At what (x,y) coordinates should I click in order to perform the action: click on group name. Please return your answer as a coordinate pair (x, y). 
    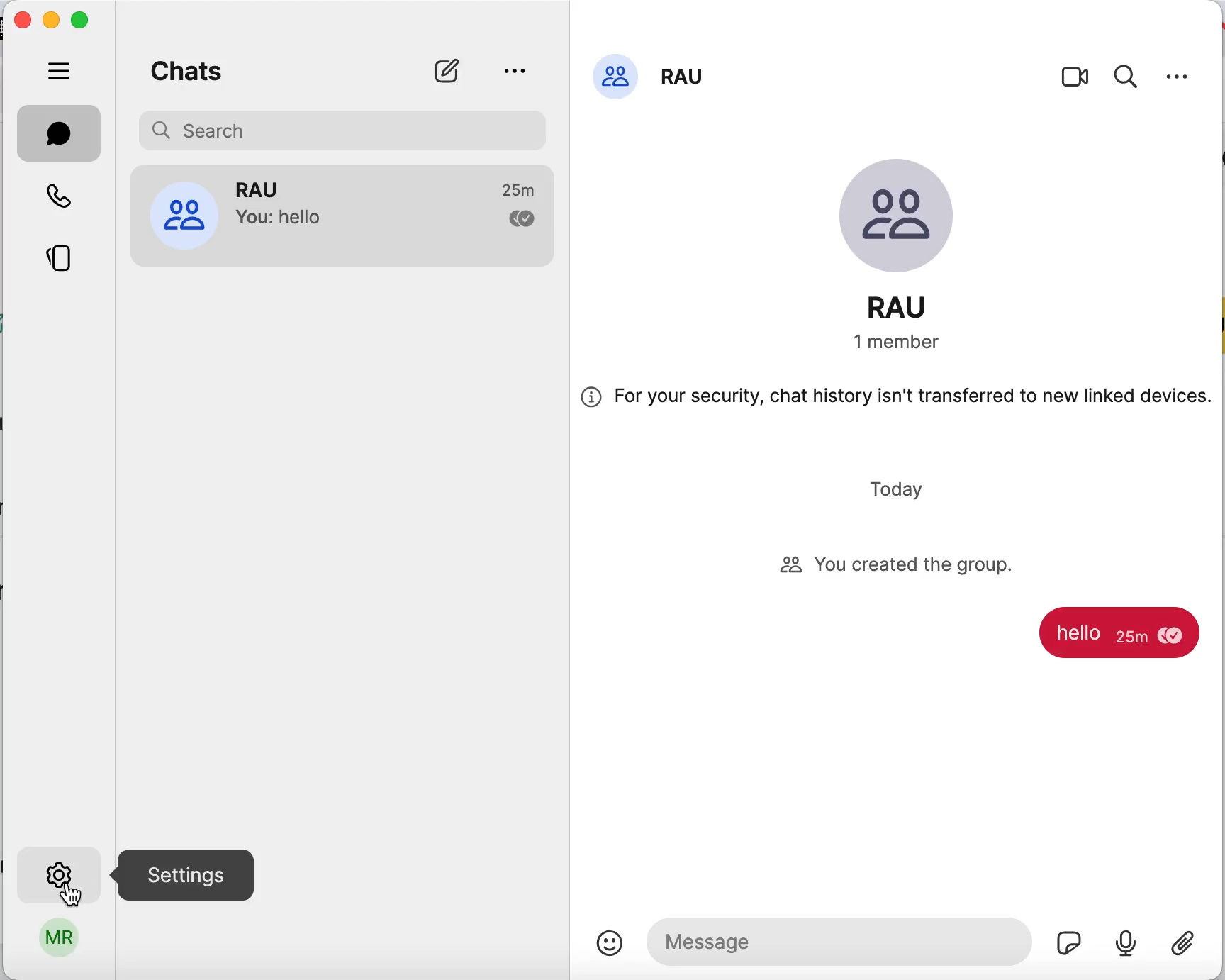
    Looking at the image, I should click on (673, 78).